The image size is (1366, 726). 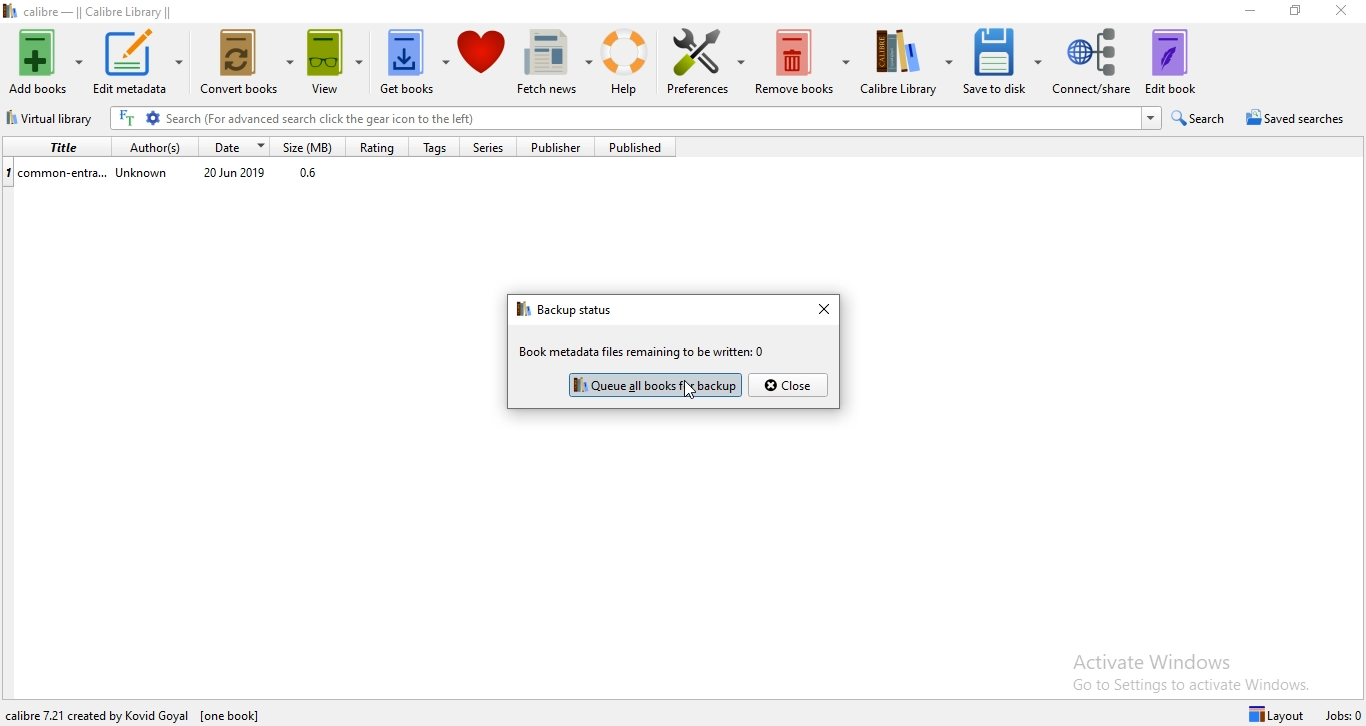 I want to click on Layout, so click(x=1280, y=713).